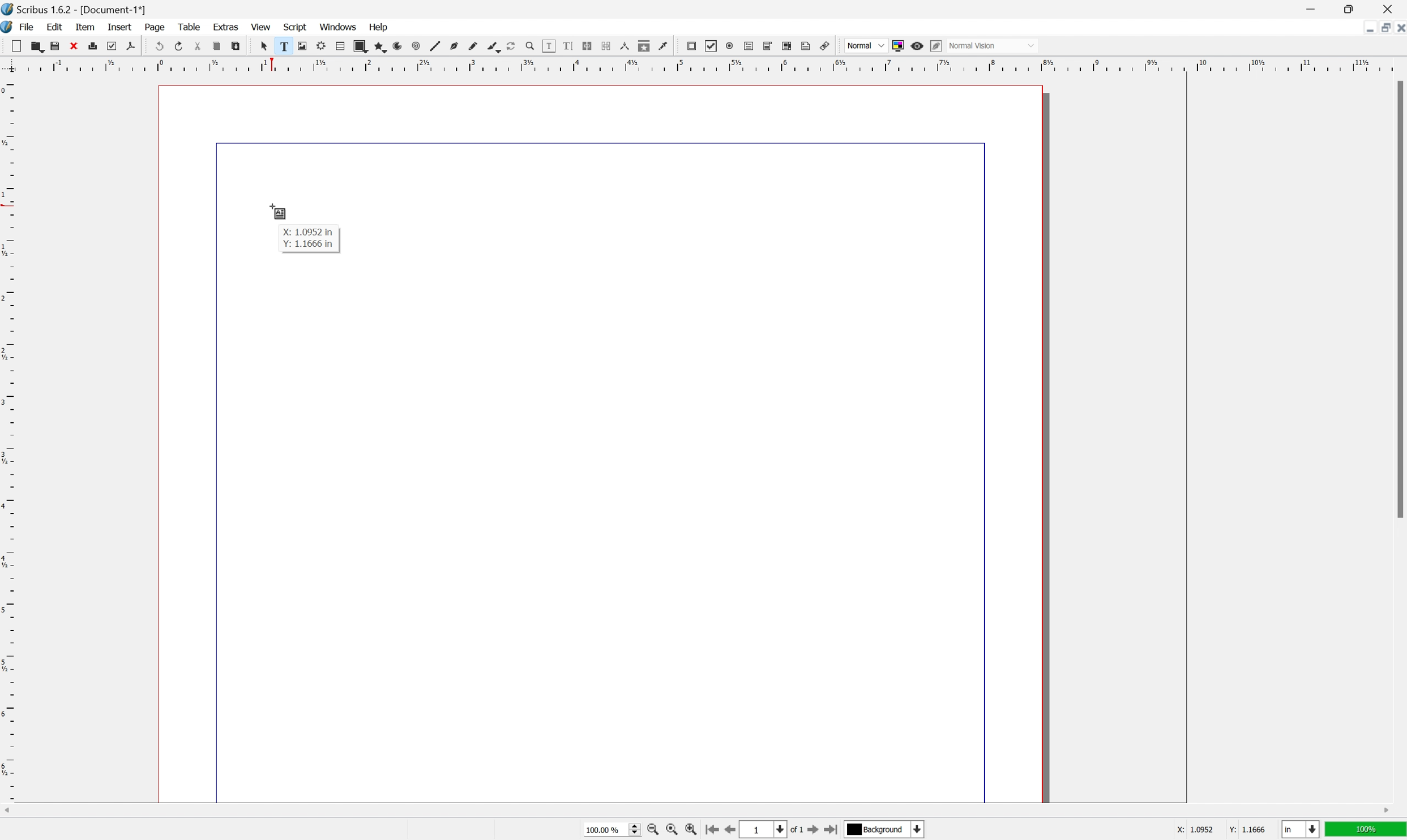 This screenshot has height=840, width=1407. Describe the element at coordinates (494, 48) in the screenshot. I see `bezier curve` at that location.